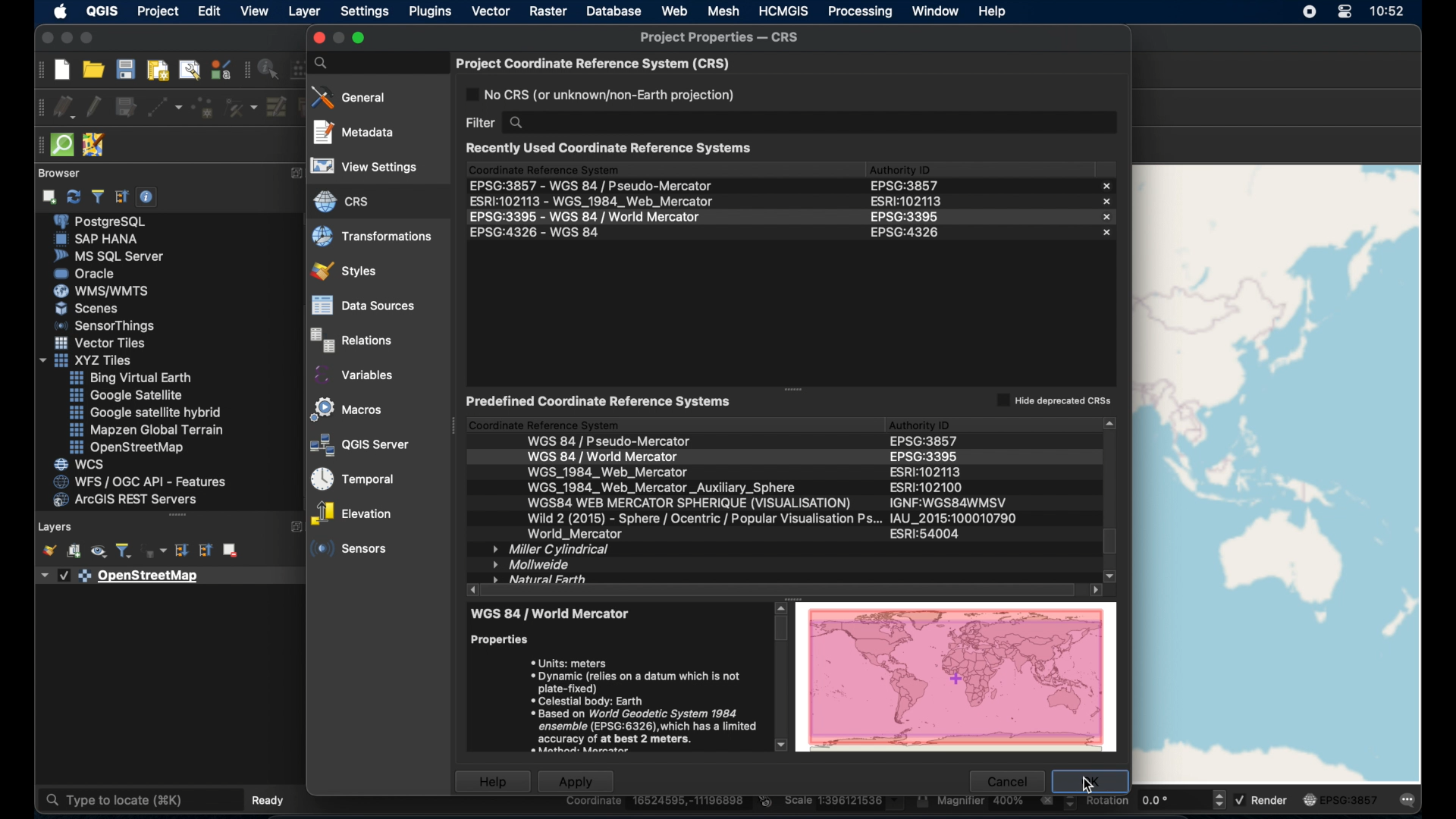 This screenshot has height=819, width=1456. Describe the element at coordinates (541, 578) in the screenshot. I see `natural earth` at that location.